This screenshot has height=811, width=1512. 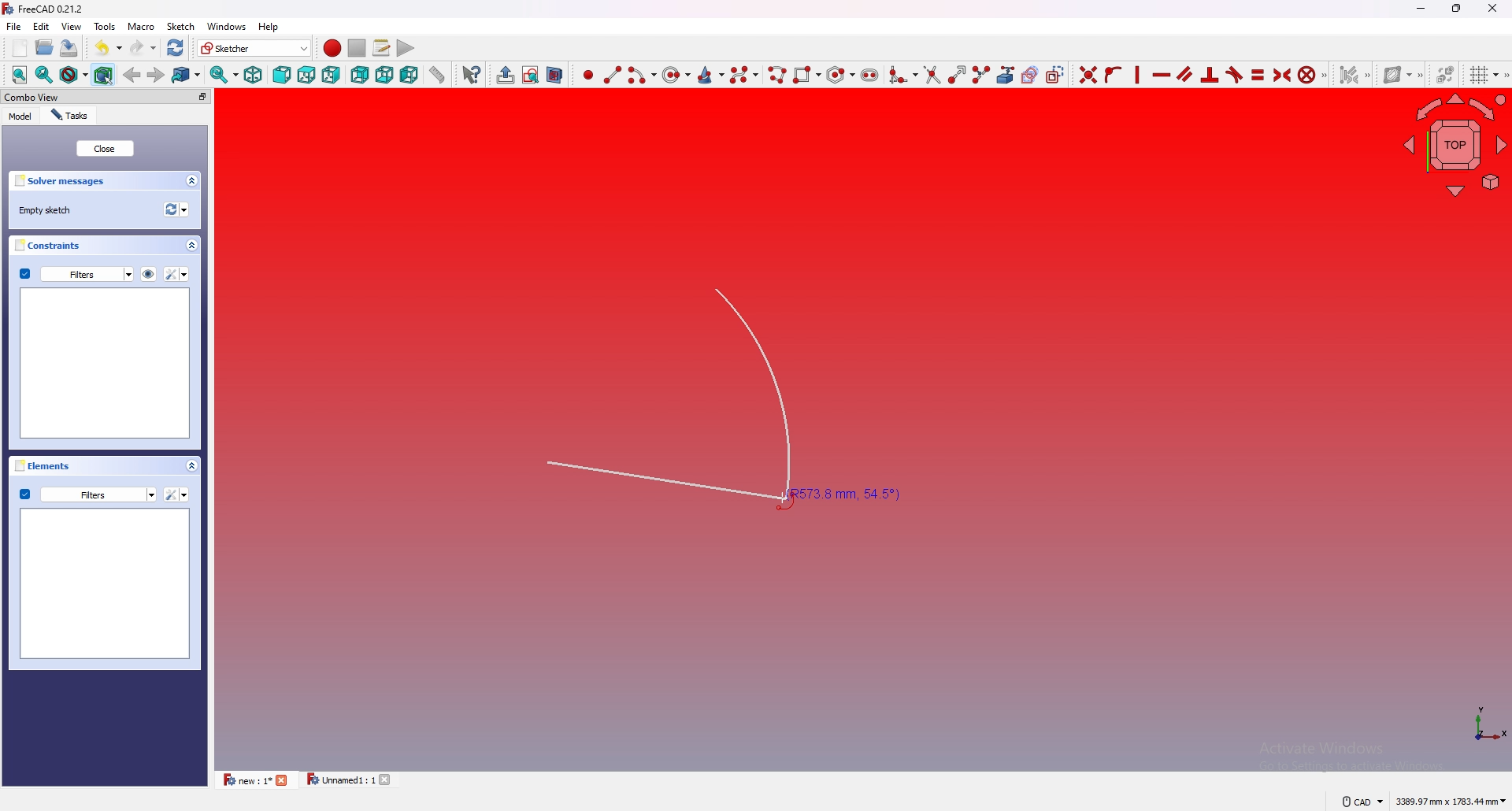 I want to click on constrain tangent, so click(x=1235, y=74).